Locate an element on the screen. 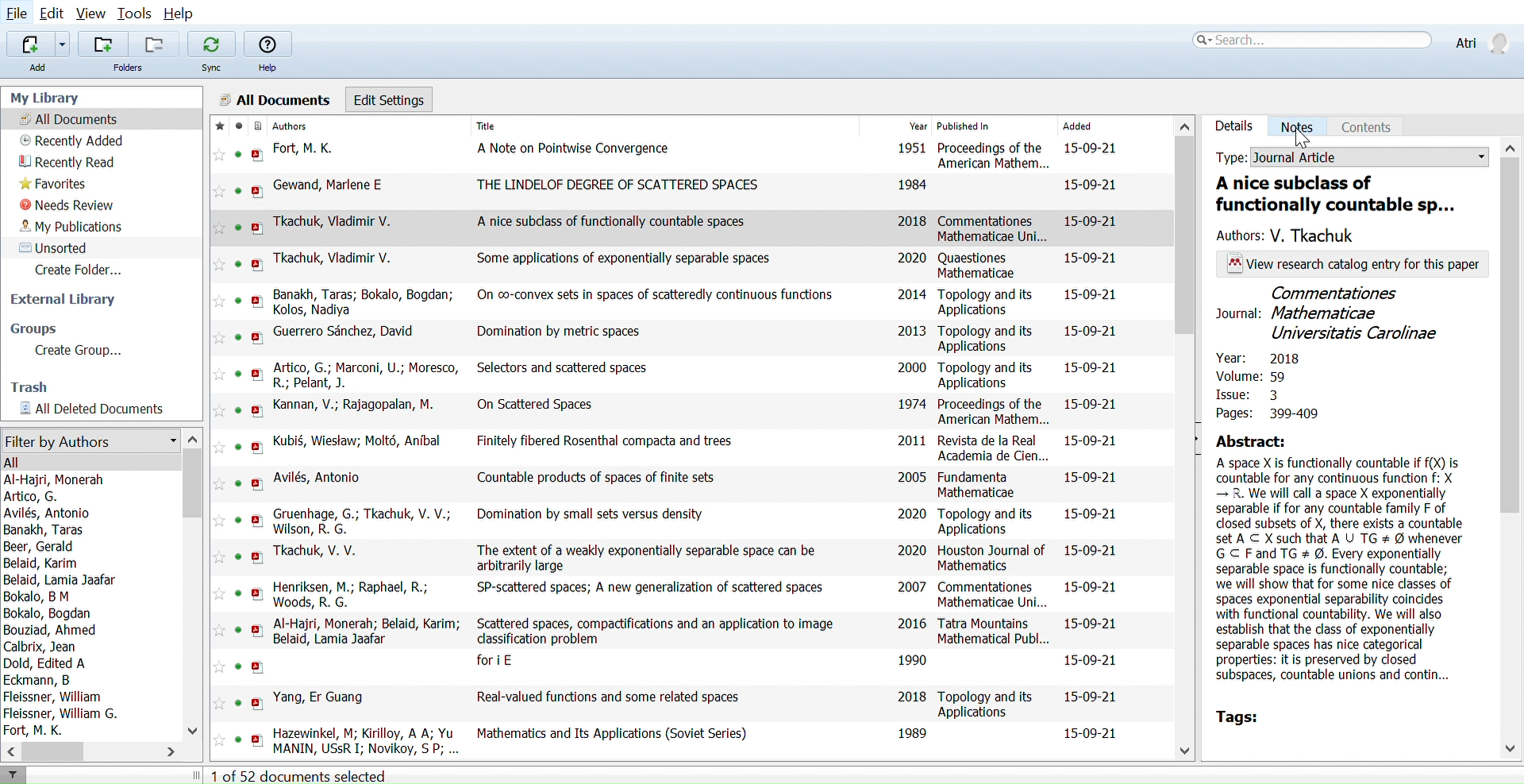 This screenshot has width=1524, height=784. Title is located at coordinates (486, 125).